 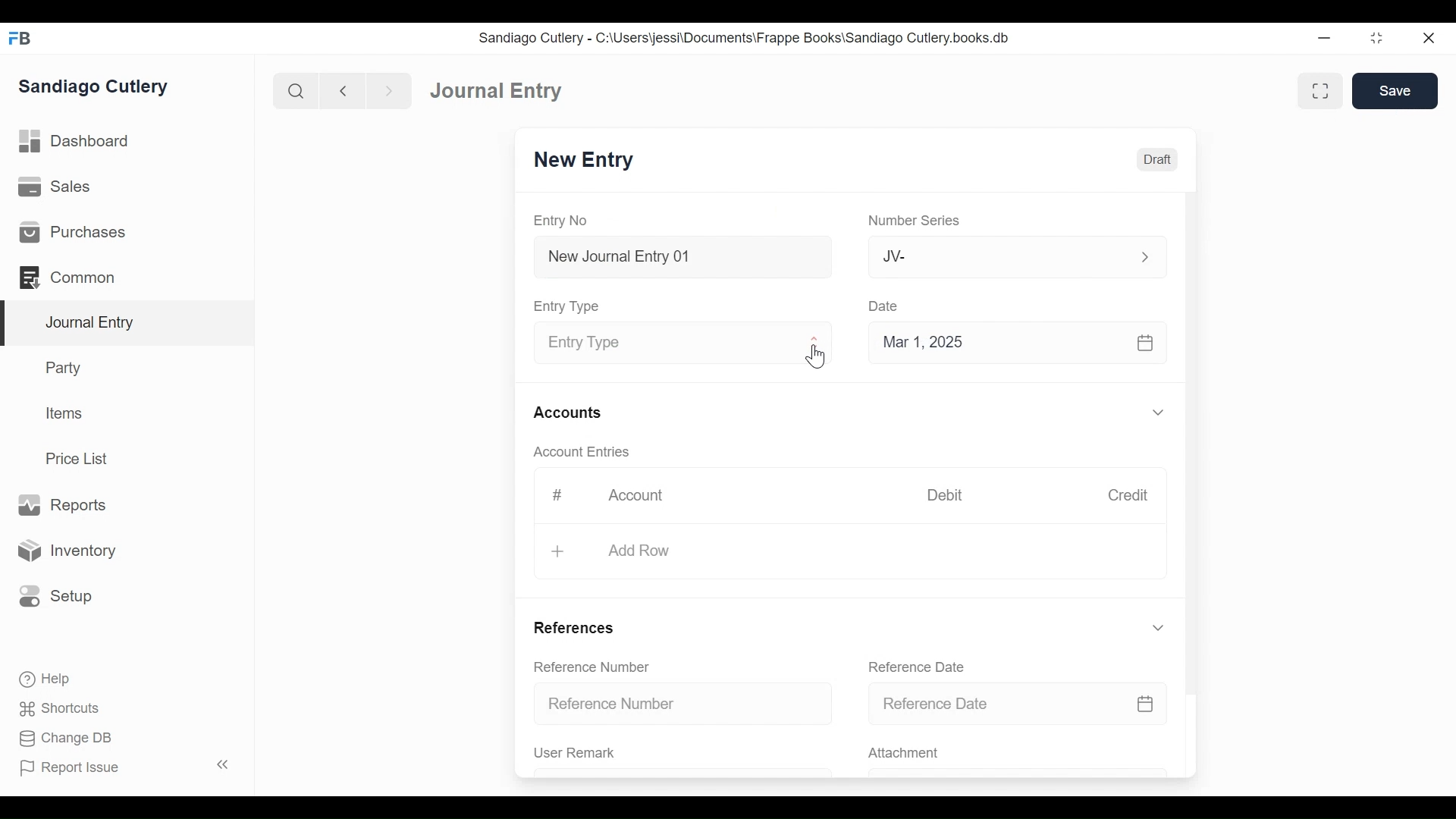 What do you see at coordinates (1157, 412) in the screenshot?
I see `expand/collapse` at bounding box center [1157, 412].